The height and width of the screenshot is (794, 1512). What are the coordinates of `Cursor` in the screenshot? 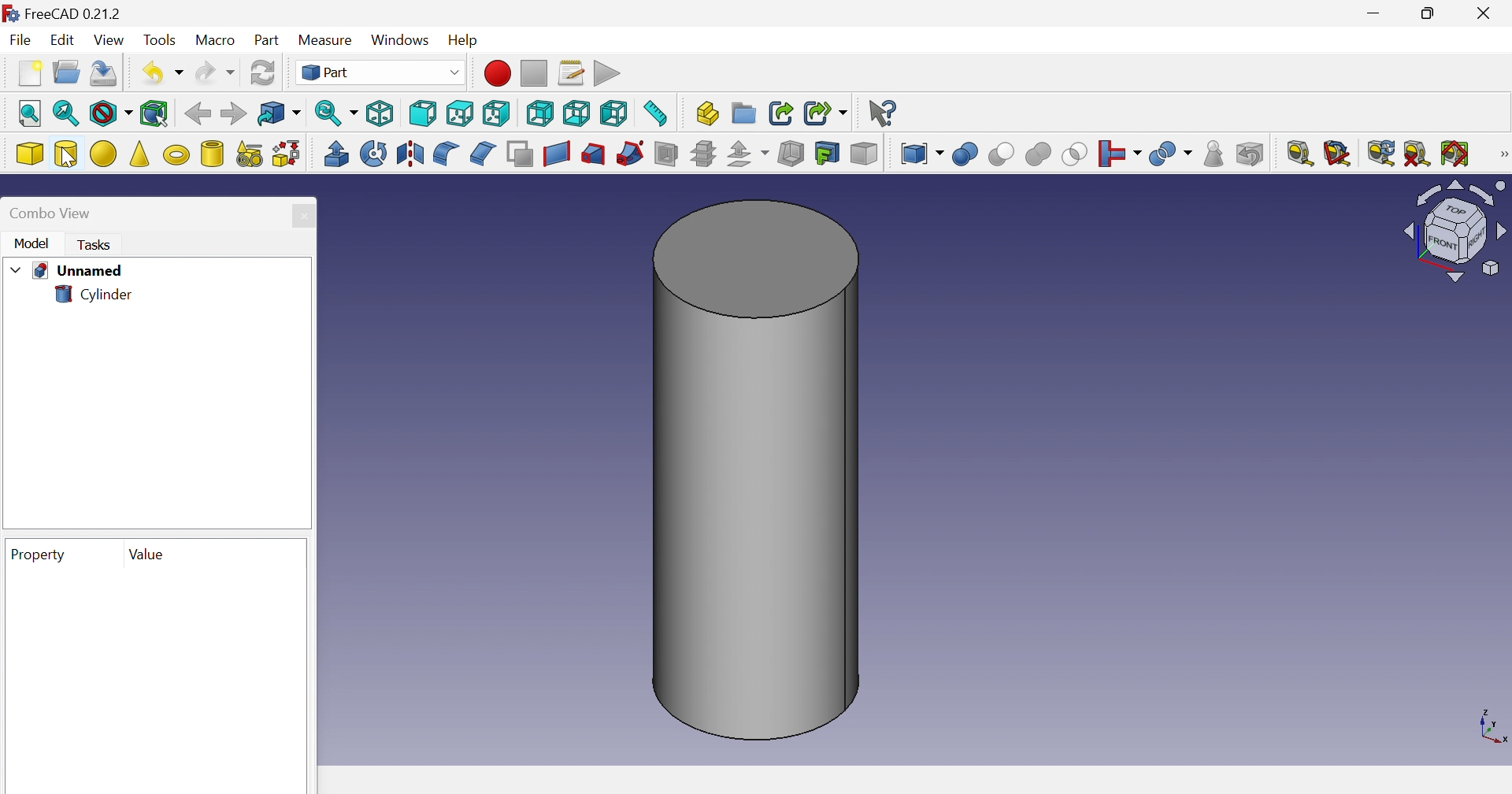 It's located at (66, 165).